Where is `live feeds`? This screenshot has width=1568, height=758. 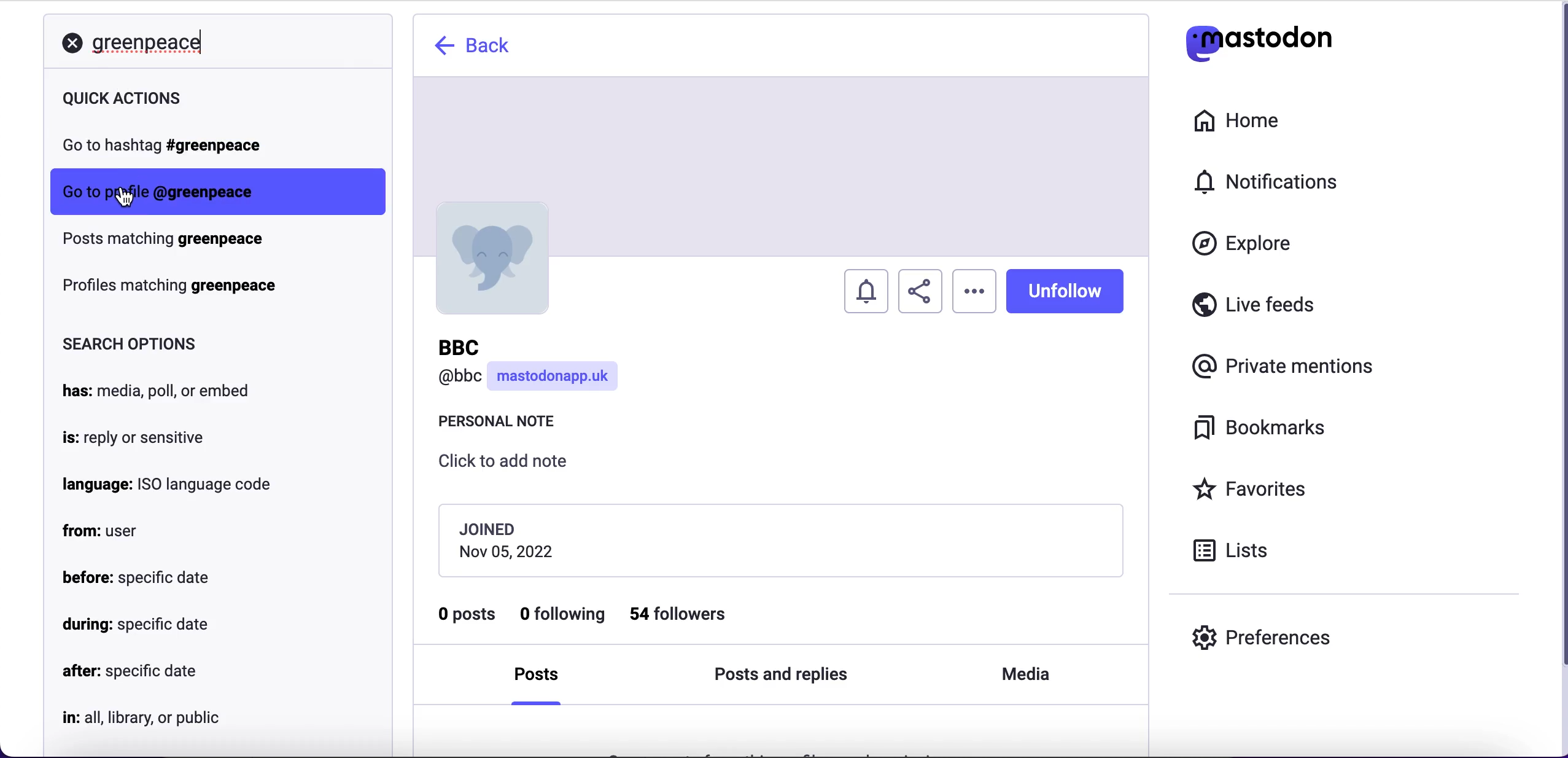
live feeds is located at coordinates (1254, 309).